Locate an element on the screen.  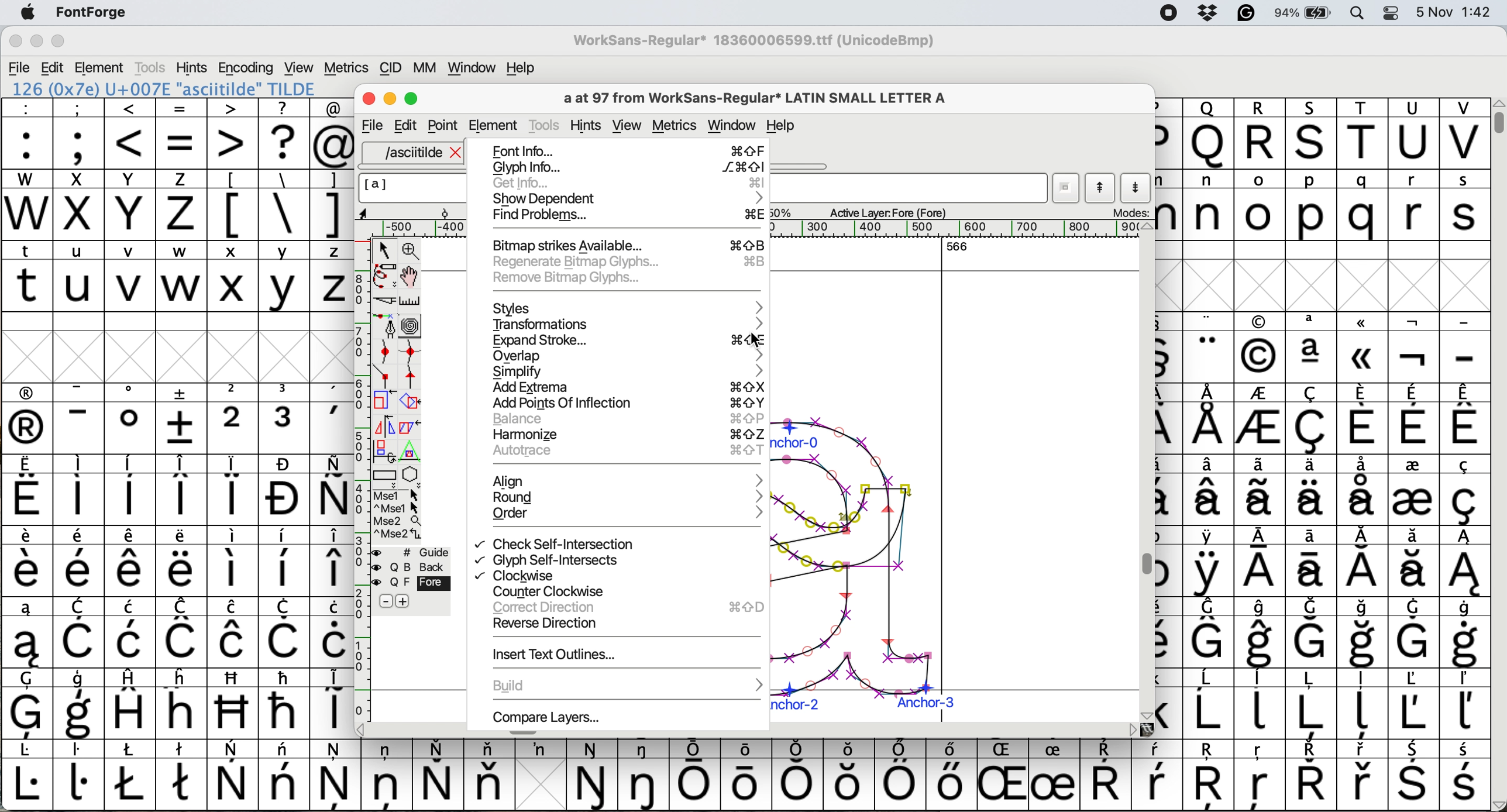
autorace is located at coordinates (624, 455).